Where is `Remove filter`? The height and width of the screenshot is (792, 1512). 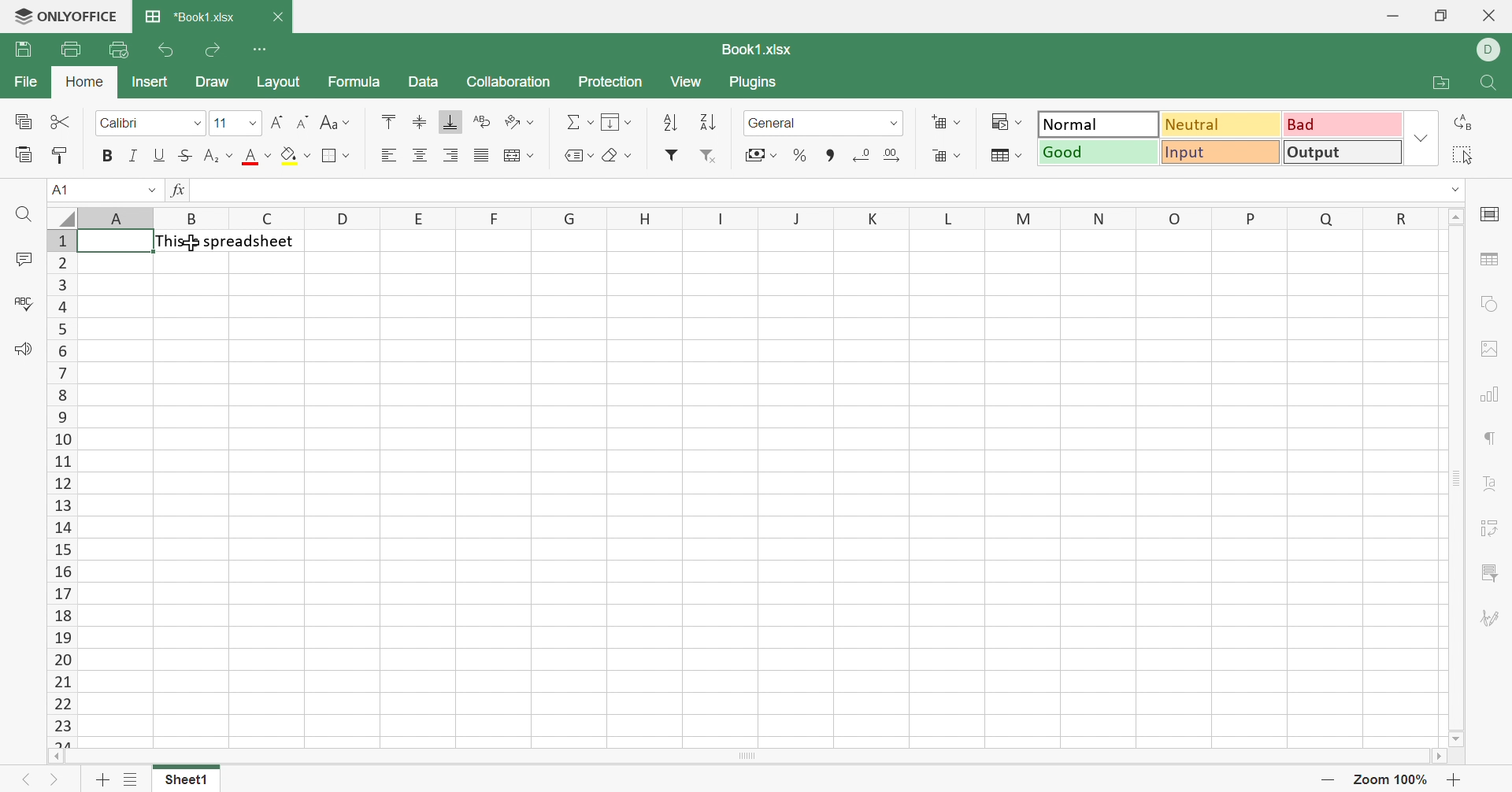
Remove filter is located at coordinates (710, 157).